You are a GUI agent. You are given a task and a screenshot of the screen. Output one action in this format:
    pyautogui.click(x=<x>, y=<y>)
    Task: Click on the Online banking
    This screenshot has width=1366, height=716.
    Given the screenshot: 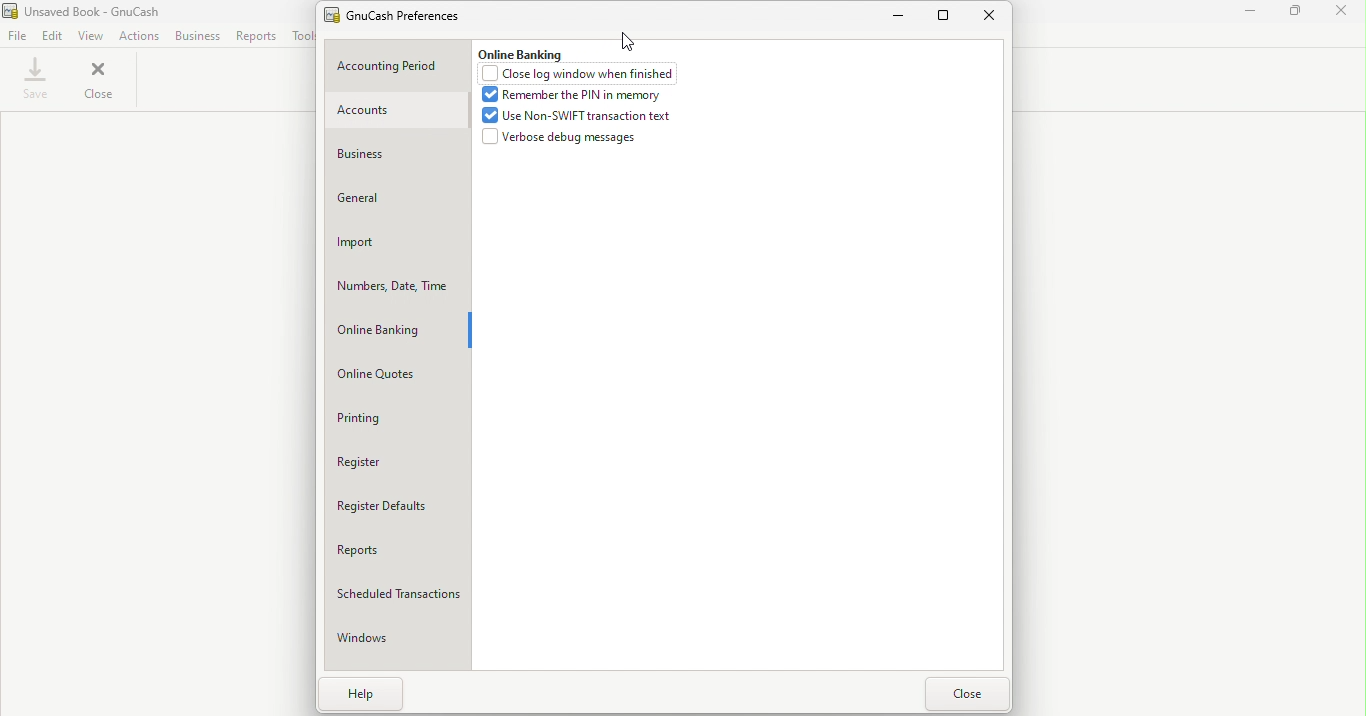 What is the action you would take?
    pyautogui.click(x=397, y=332)
    